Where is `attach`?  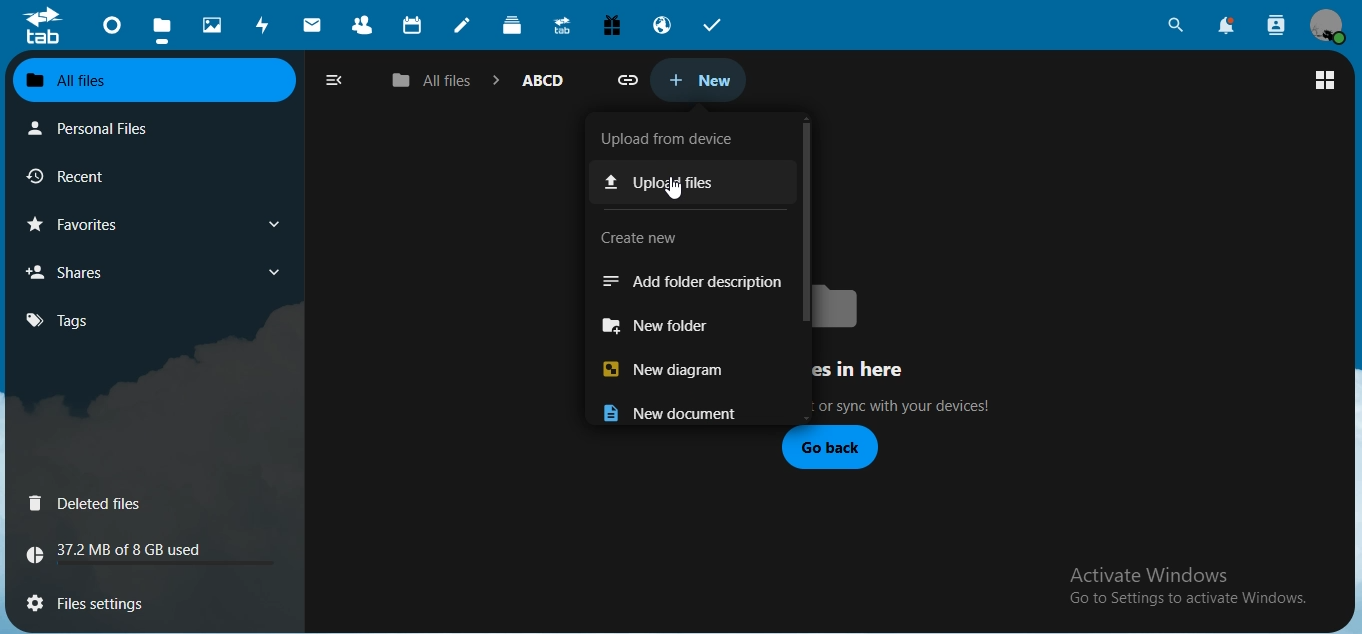
attach is located at coordinates (630, 81).